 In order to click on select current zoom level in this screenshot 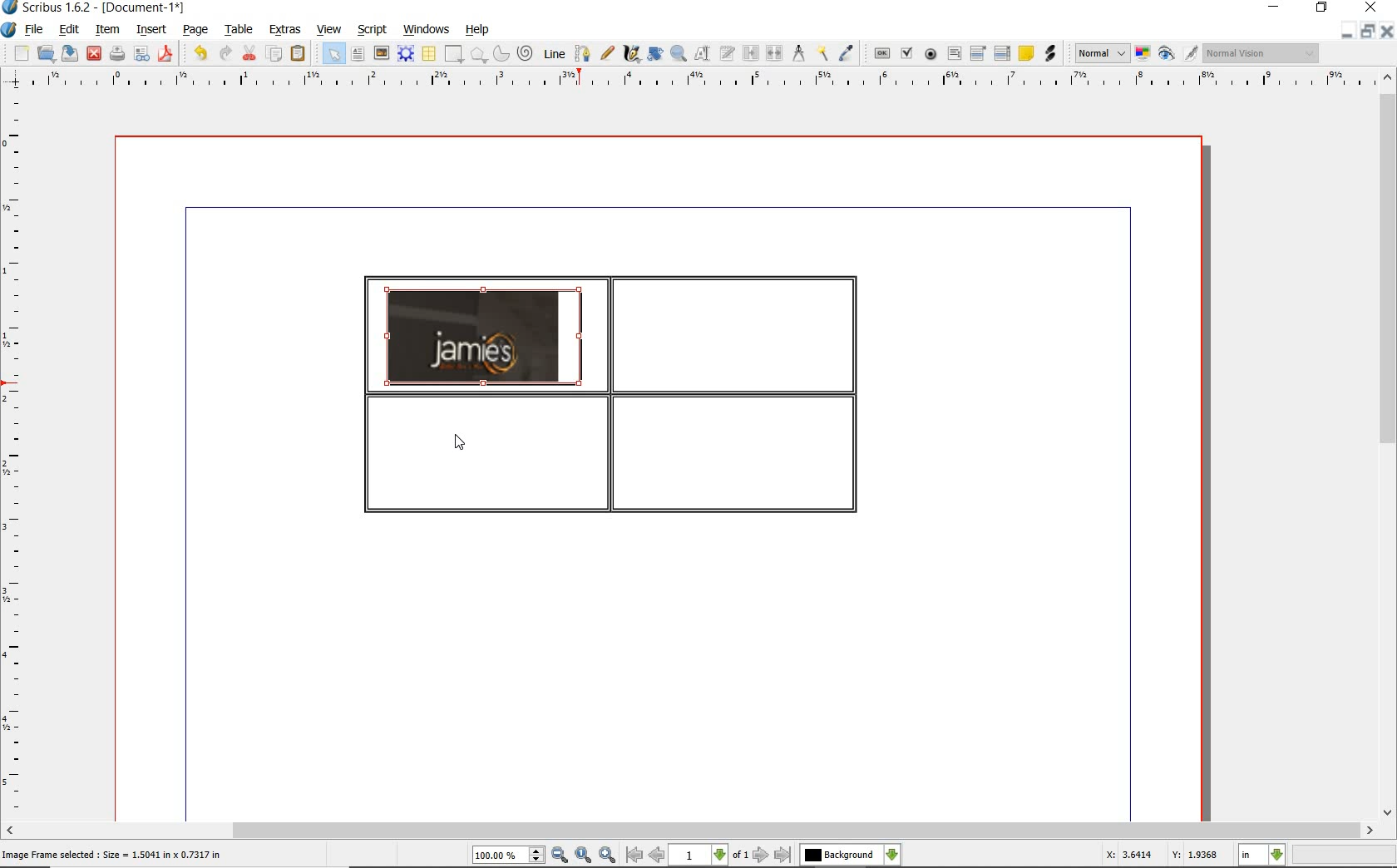, I will do `click(508, 856)`.